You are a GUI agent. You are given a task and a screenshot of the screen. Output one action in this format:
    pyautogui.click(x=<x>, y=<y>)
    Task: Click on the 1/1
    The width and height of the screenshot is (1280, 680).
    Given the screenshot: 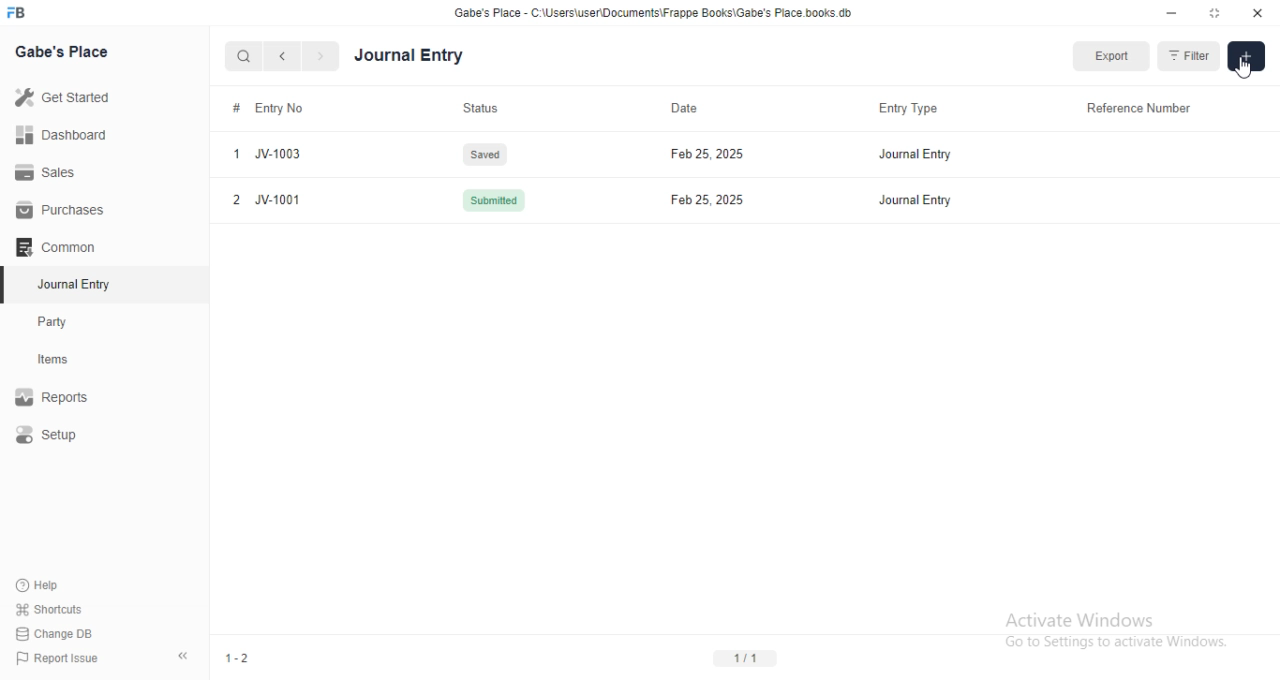 What is the action you would take?
    pyautogui.click(x=746, y=660)
    